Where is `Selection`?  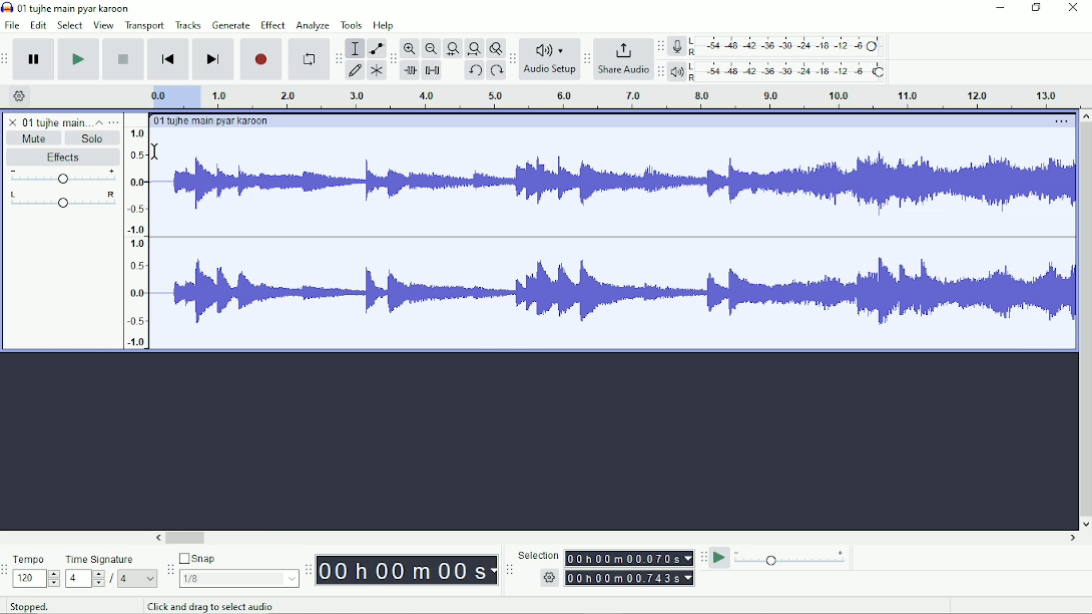 Selection is located at coordinates (538, 555).